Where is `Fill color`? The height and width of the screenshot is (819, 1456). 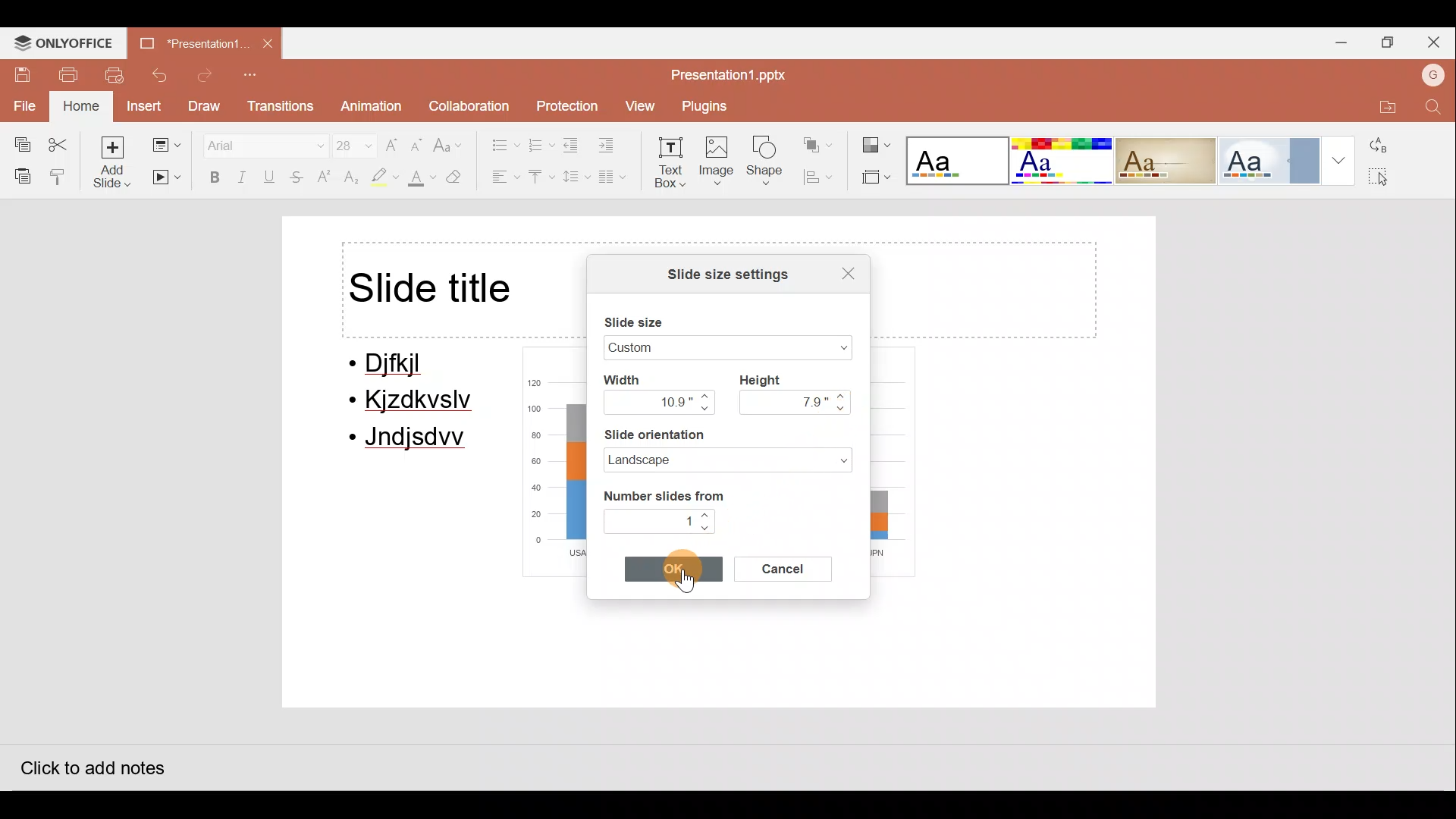 Fill color is located at coordinates (419, 180).